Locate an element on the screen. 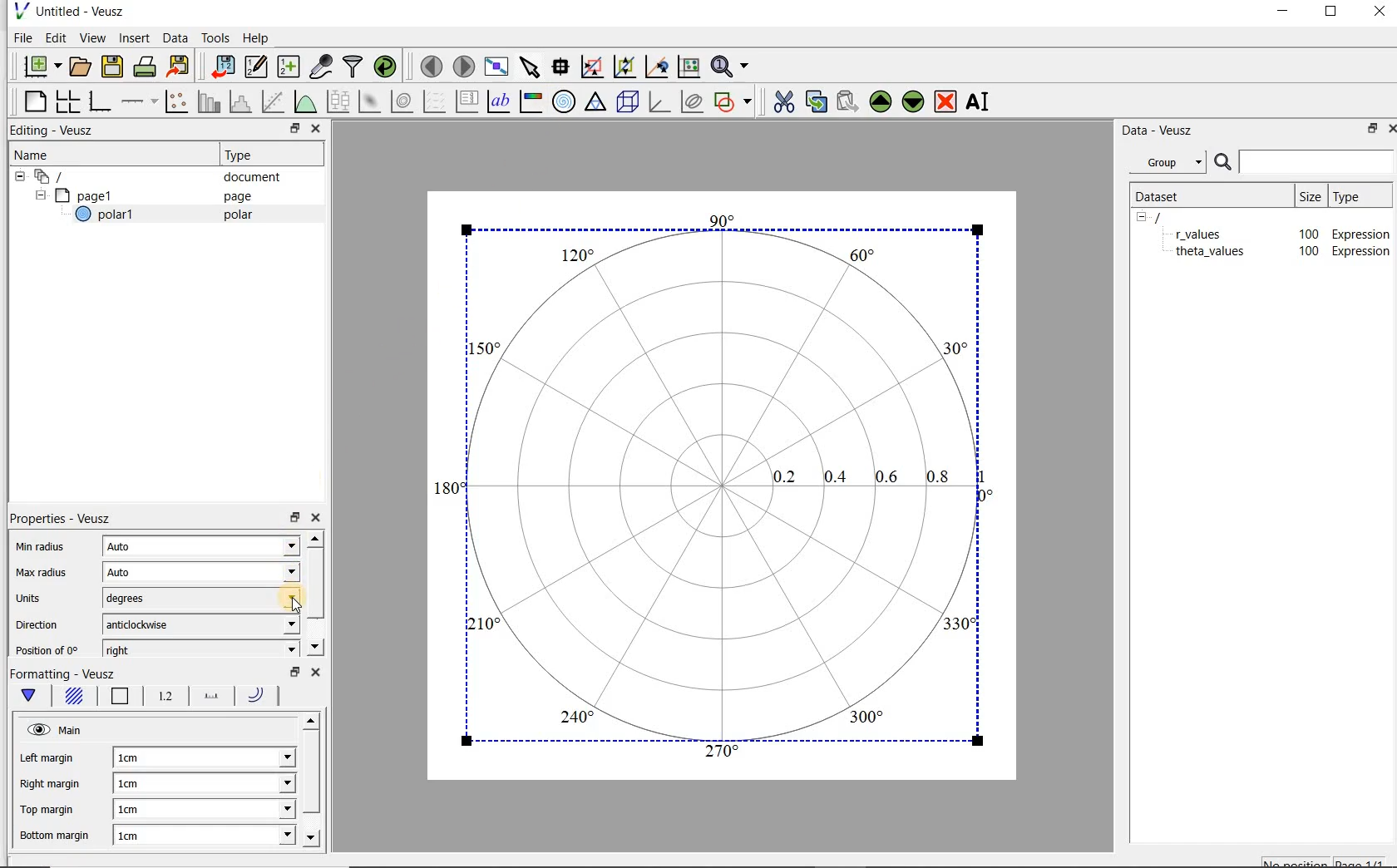  Close is located at coordinates (1378, 14).